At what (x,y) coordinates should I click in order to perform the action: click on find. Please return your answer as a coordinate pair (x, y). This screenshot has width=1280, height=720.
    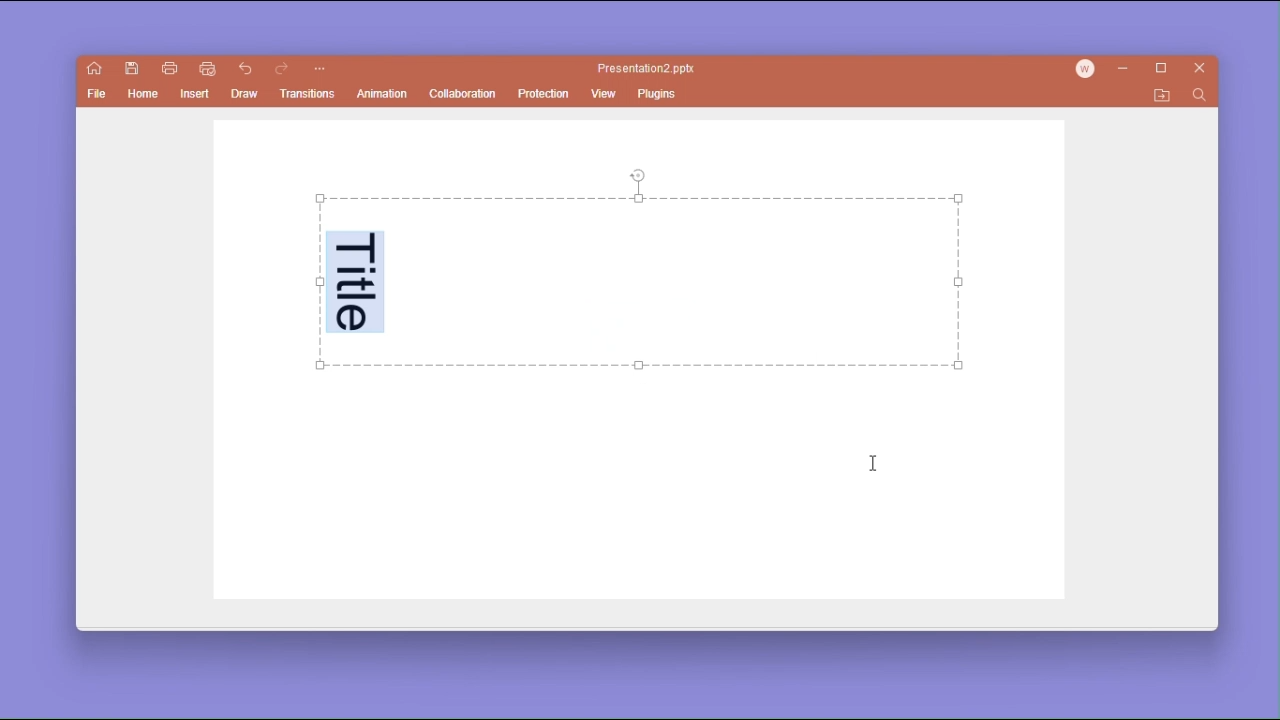
    Looking at the image, I should click on (1198, 96).